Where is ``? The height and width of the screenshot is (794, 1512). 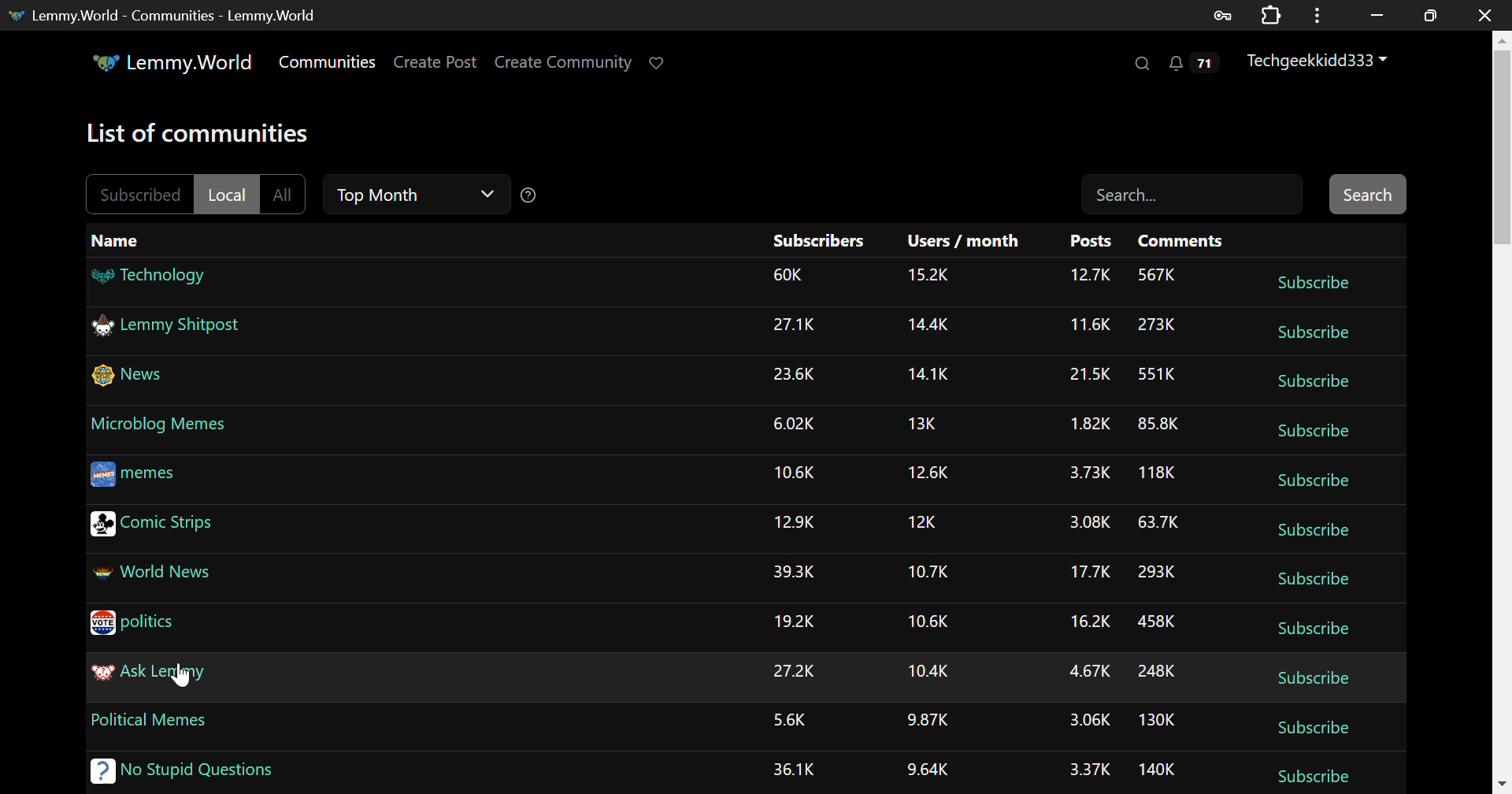
 is located at coordinates (1156, 327).